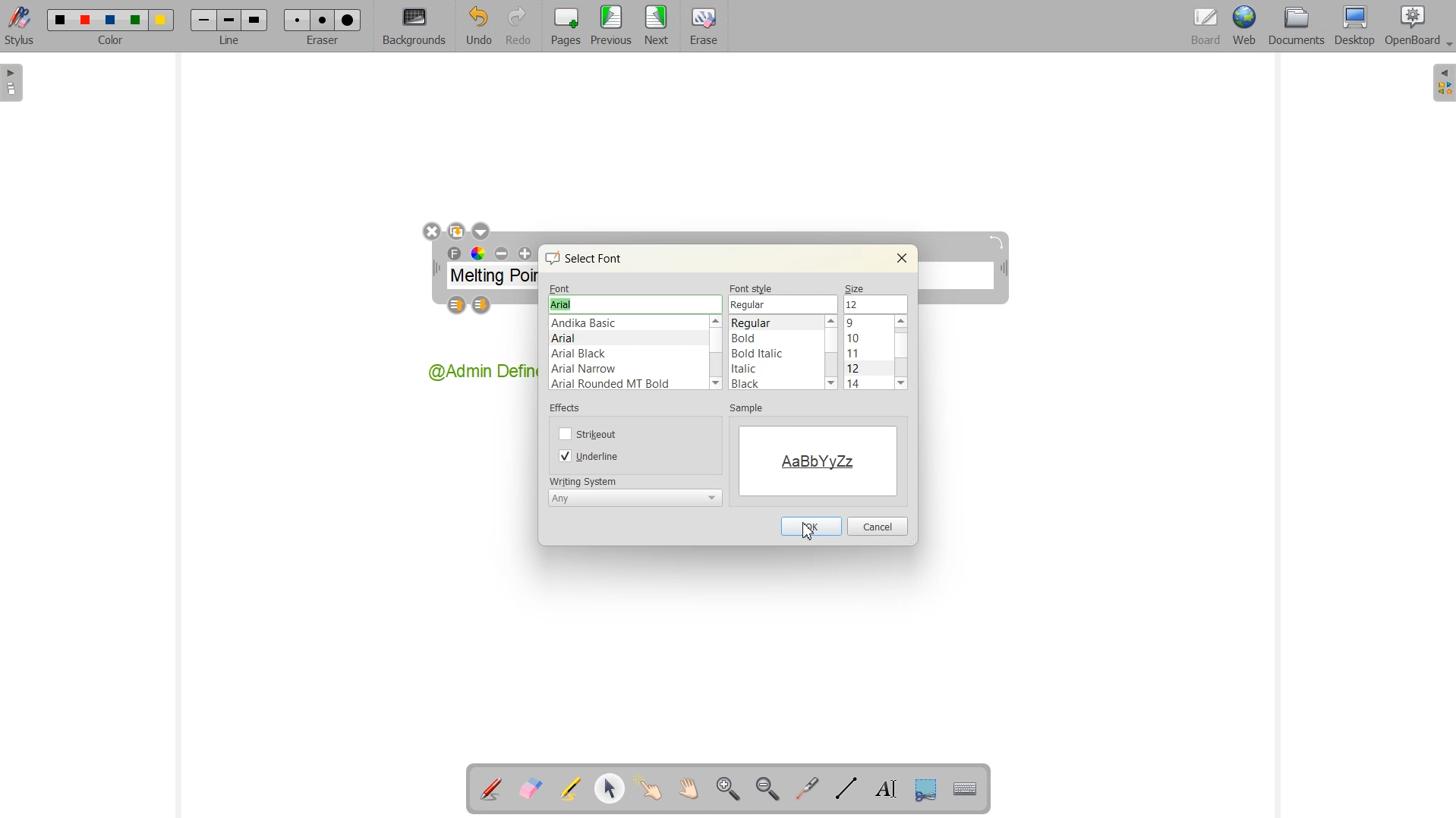 Image resolution: width=1456 pixels, height=818 pixels. Describe the element at coordinates (831, 353) in the screenshot. I see `Vertical scroll bar` at that location.